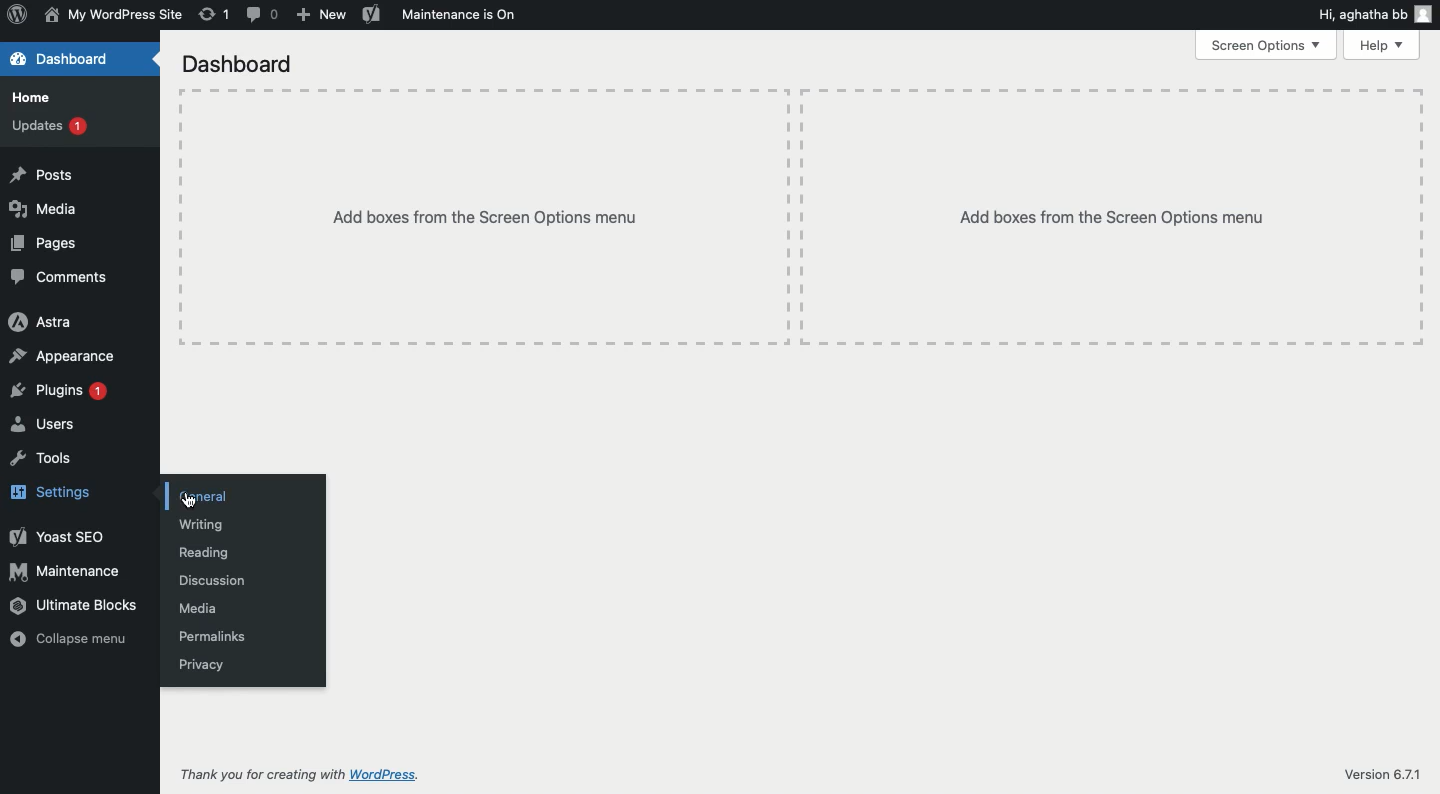 The height and width of the screenshot is (794, 1440). What do you see at coordinates (241, 66) in the screenshot?
I see `Dashboard` at bounding box center [241, 66].